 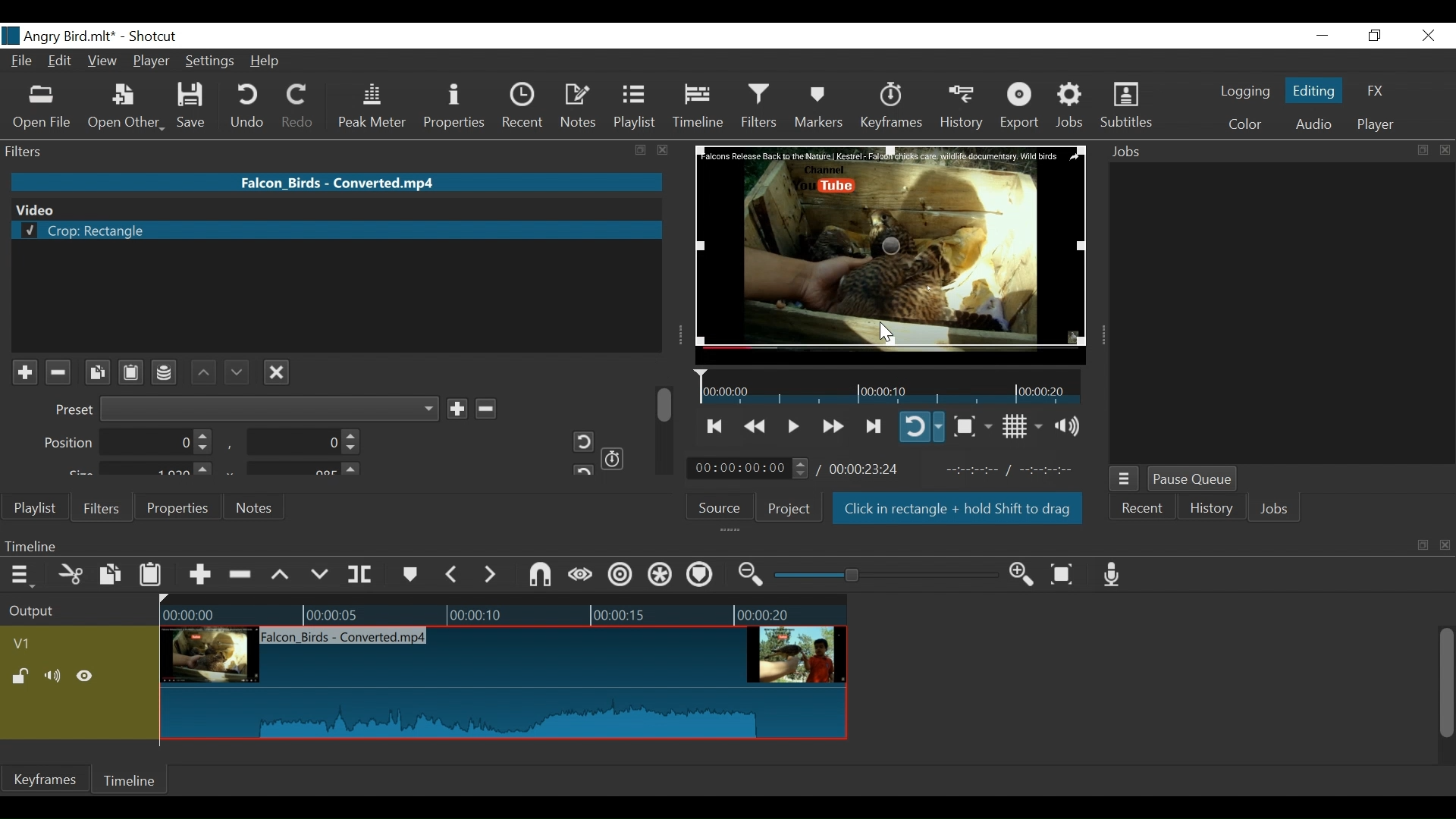 What do you see at coordinates (308, 150) in the screenshot?
I see `filters` at bounding box center [308, 150].